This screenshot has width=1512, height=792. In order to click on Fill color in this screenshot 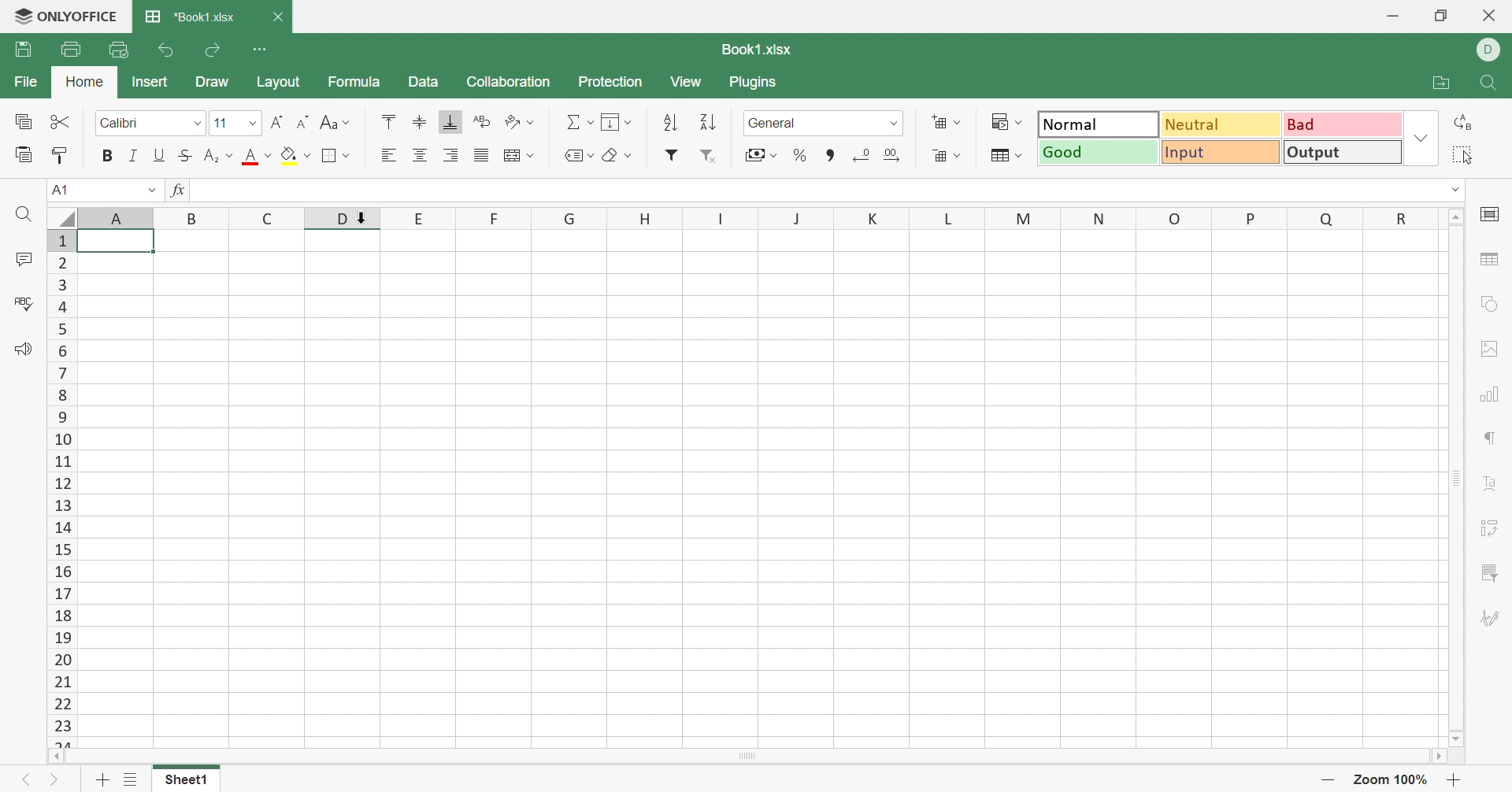, I will do `click(289, 156)`.